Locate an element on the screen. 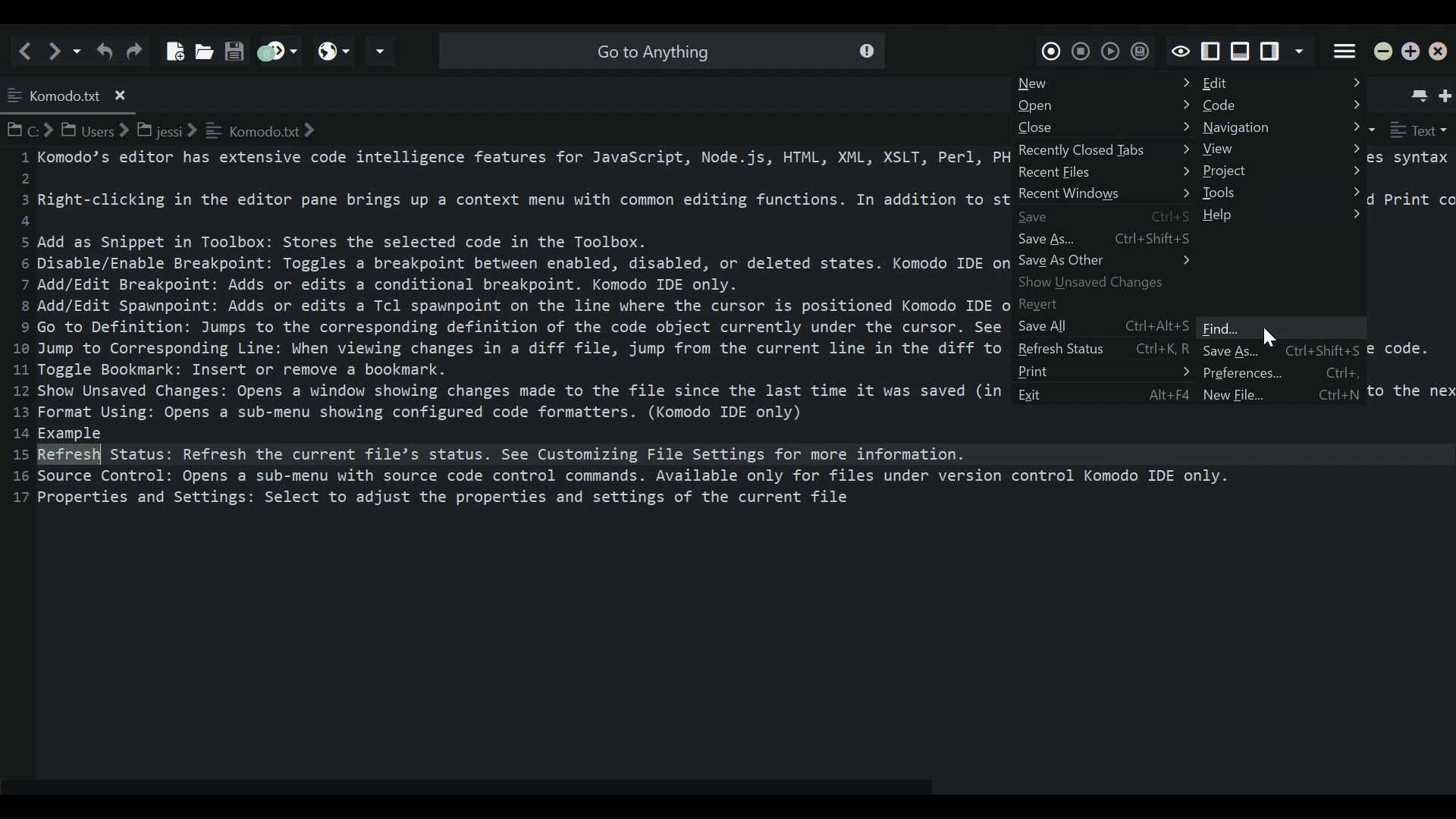 This screenshot has width=1456, height=819. Restore is located at coordinates (1411, 52).